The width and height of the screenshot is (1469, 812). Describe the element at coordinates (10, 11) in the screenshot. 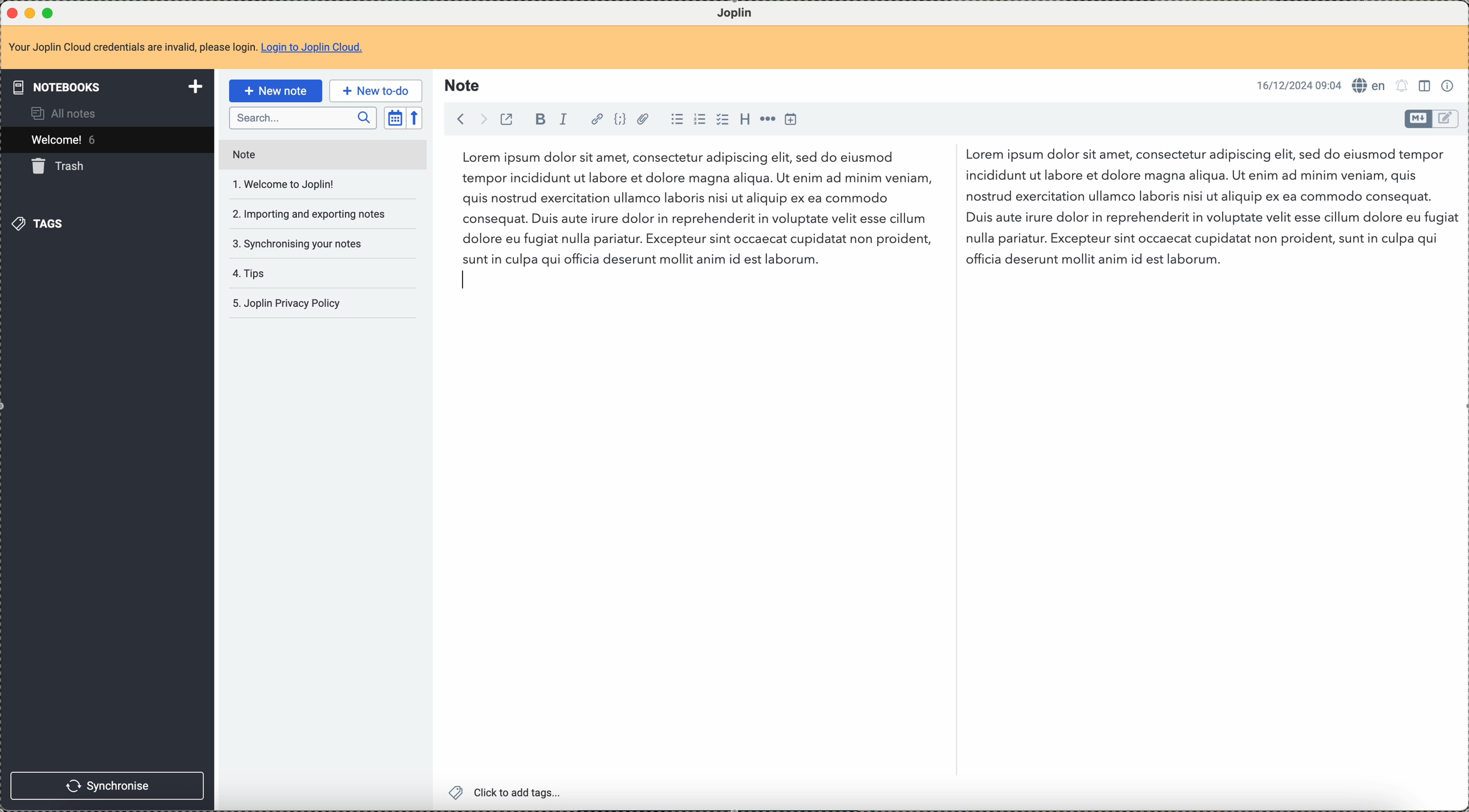

I see `close` at that location.